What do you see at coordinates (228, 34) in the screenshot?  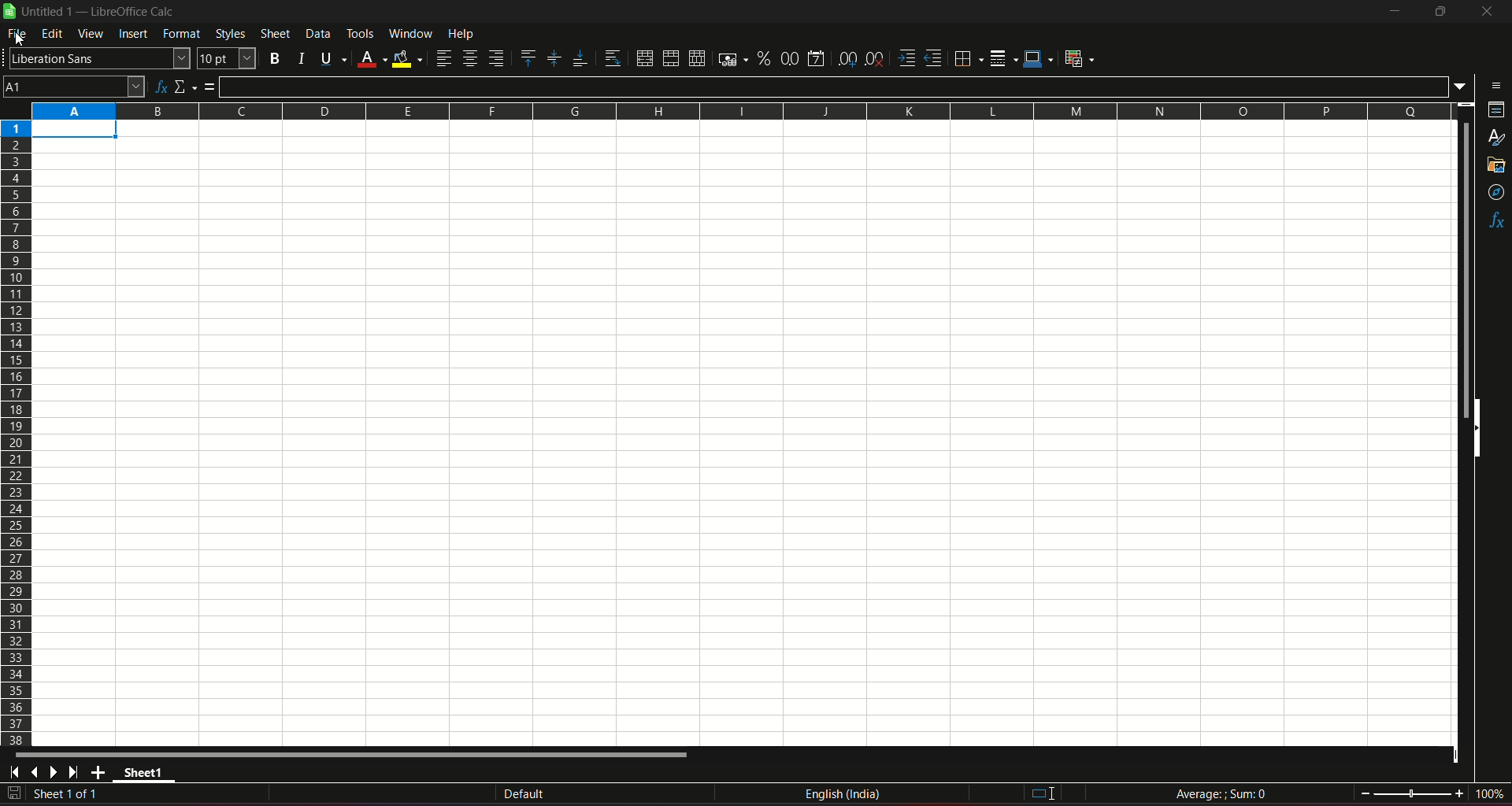 I see `Styles` at bounding box center [228, 34].